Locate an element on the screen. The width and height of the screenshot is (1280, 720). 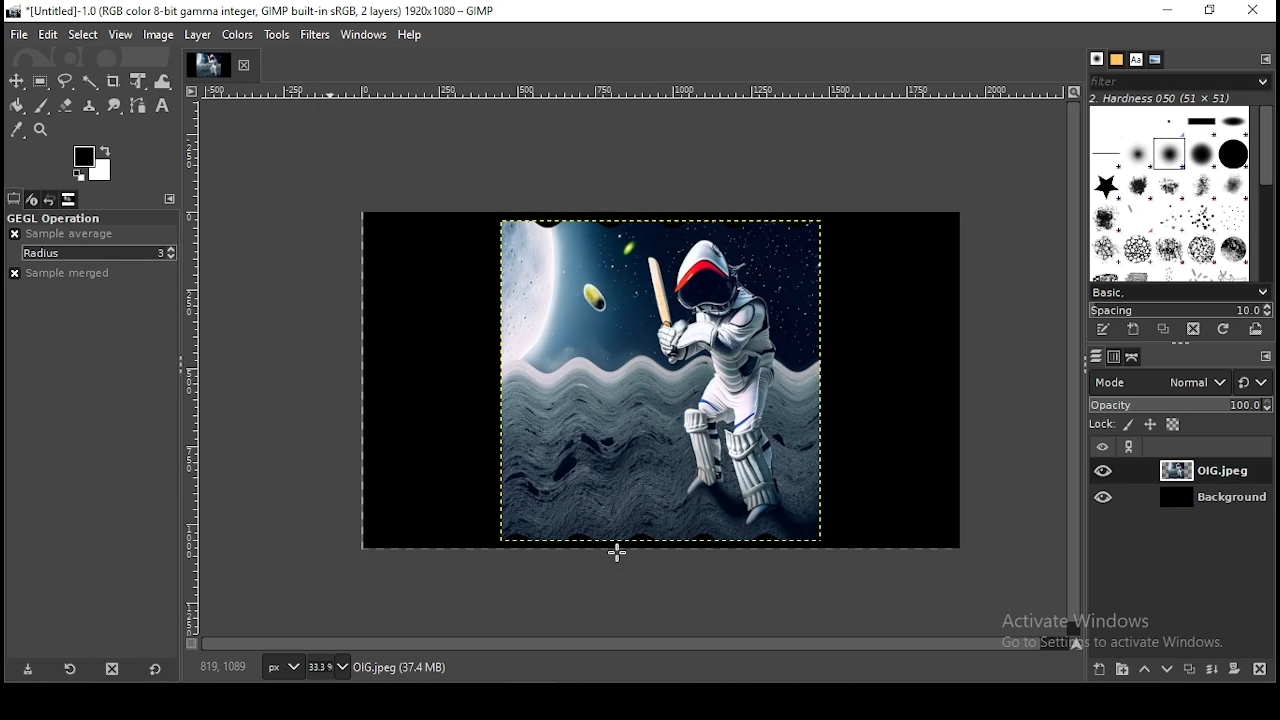
zoom tool is located at coordinates (41, 130).